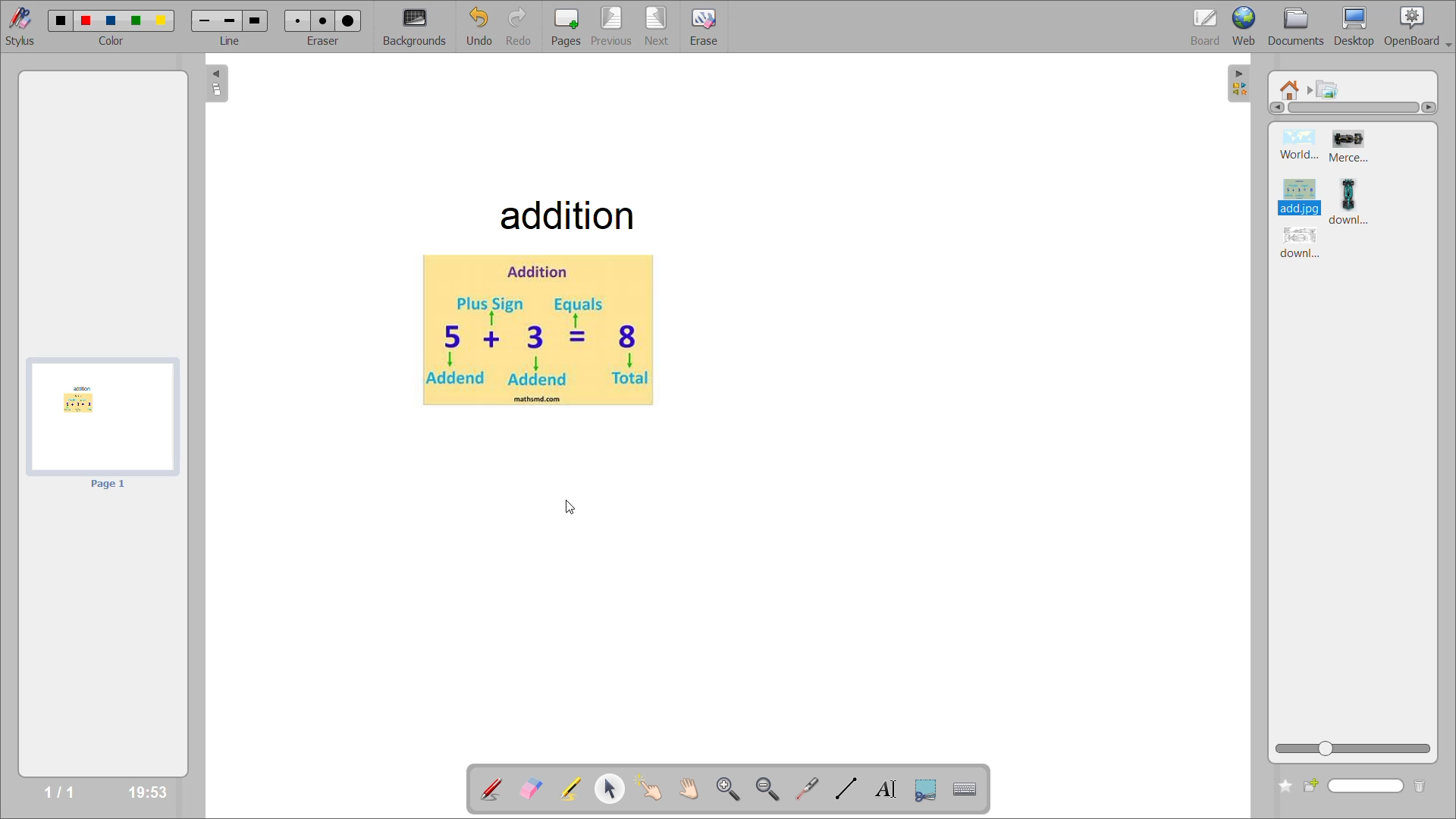 The image size is (1456, 819). Describe the element at coordinates (1359, 200) in the screenshot. I see `image 4` at that location.